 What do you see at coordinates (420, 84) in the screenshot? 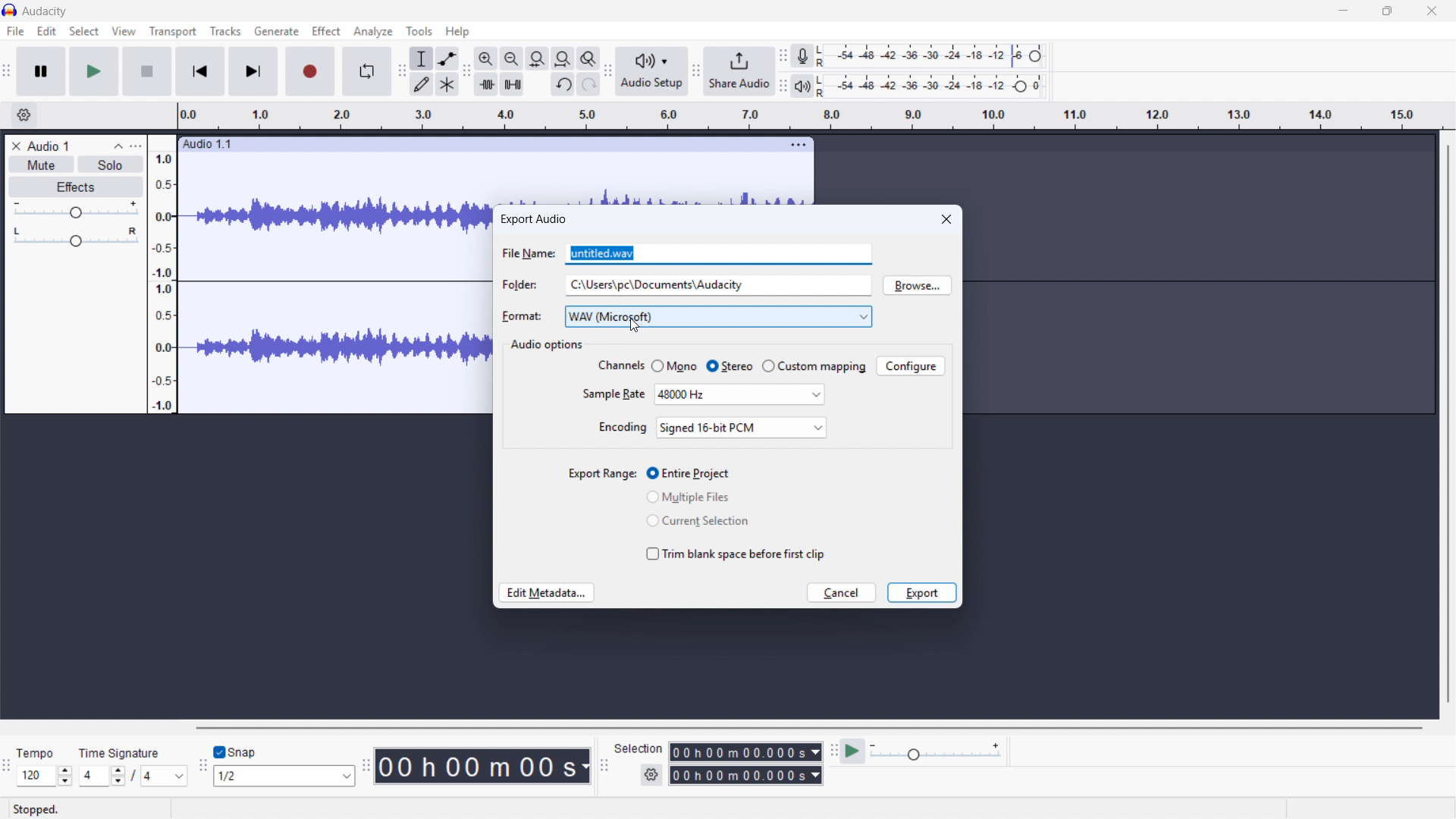
I see `Draw tool ` at bounding box center [420, 84].